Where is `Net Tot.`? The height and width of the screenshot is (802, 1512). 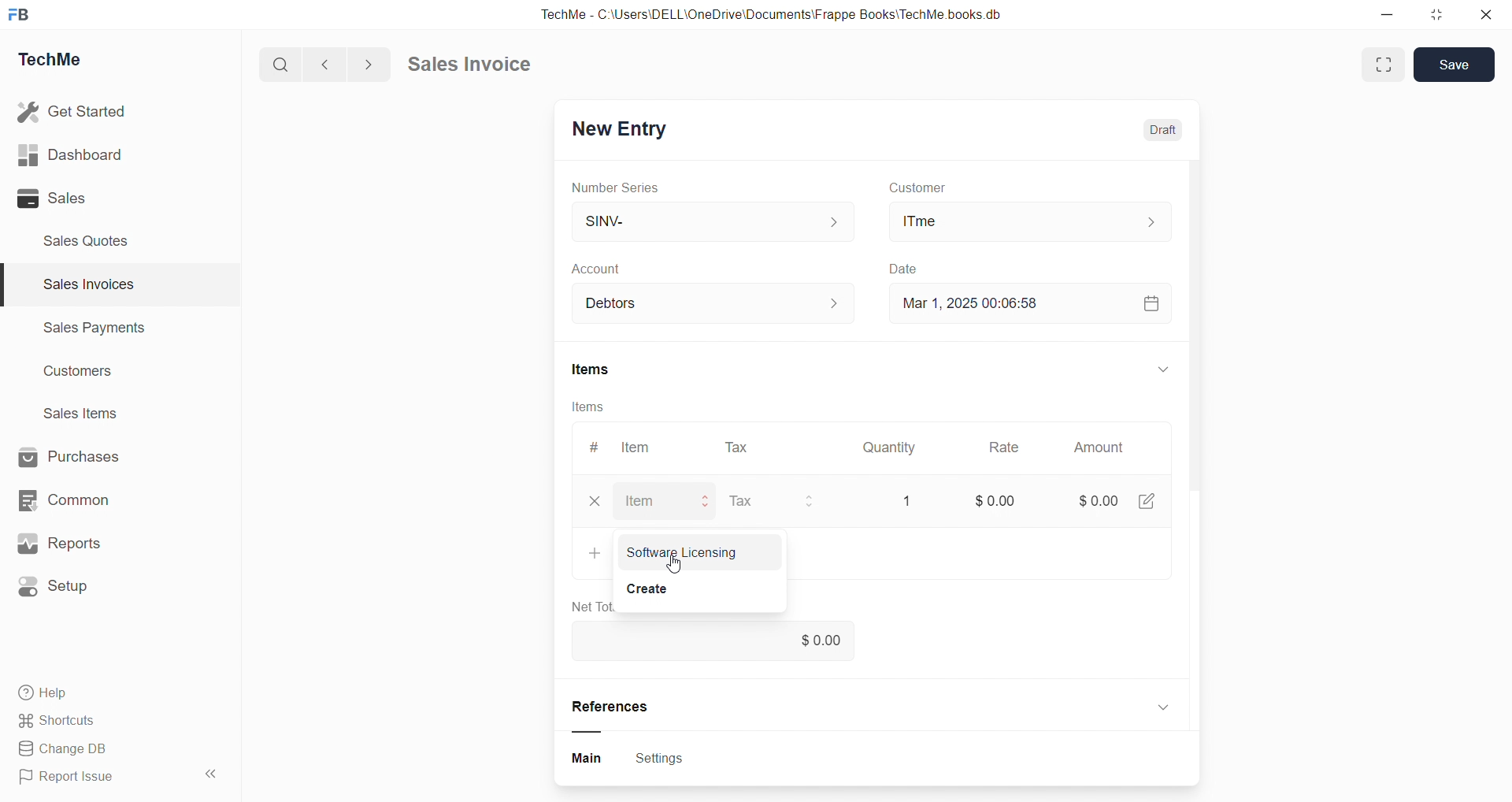 Net Tot. is located at coordinates (592, 609).